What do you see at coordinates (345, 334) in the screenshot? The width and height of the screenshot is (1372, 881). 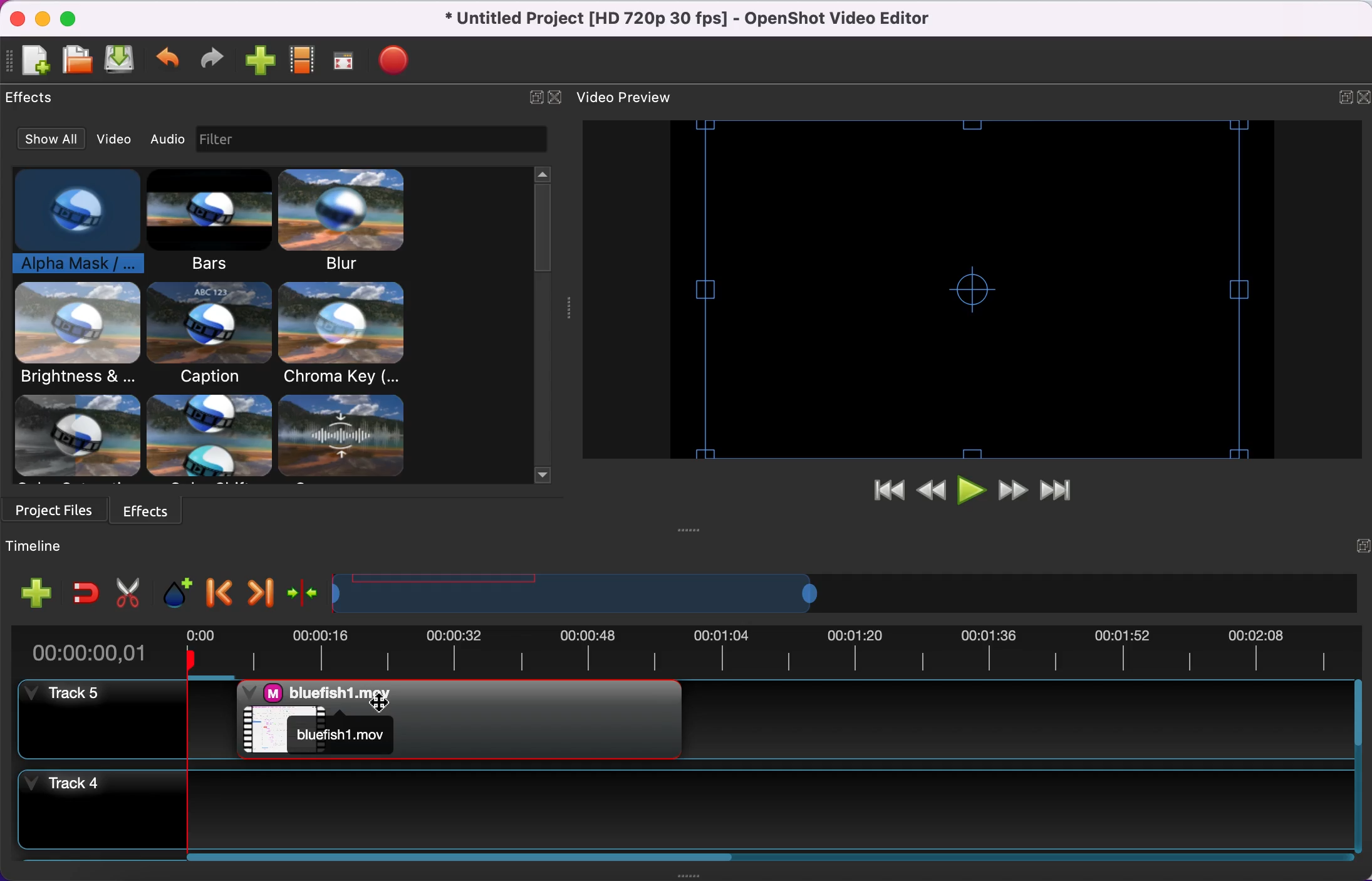 I see `chroma key` at bounding box center [345, 334].